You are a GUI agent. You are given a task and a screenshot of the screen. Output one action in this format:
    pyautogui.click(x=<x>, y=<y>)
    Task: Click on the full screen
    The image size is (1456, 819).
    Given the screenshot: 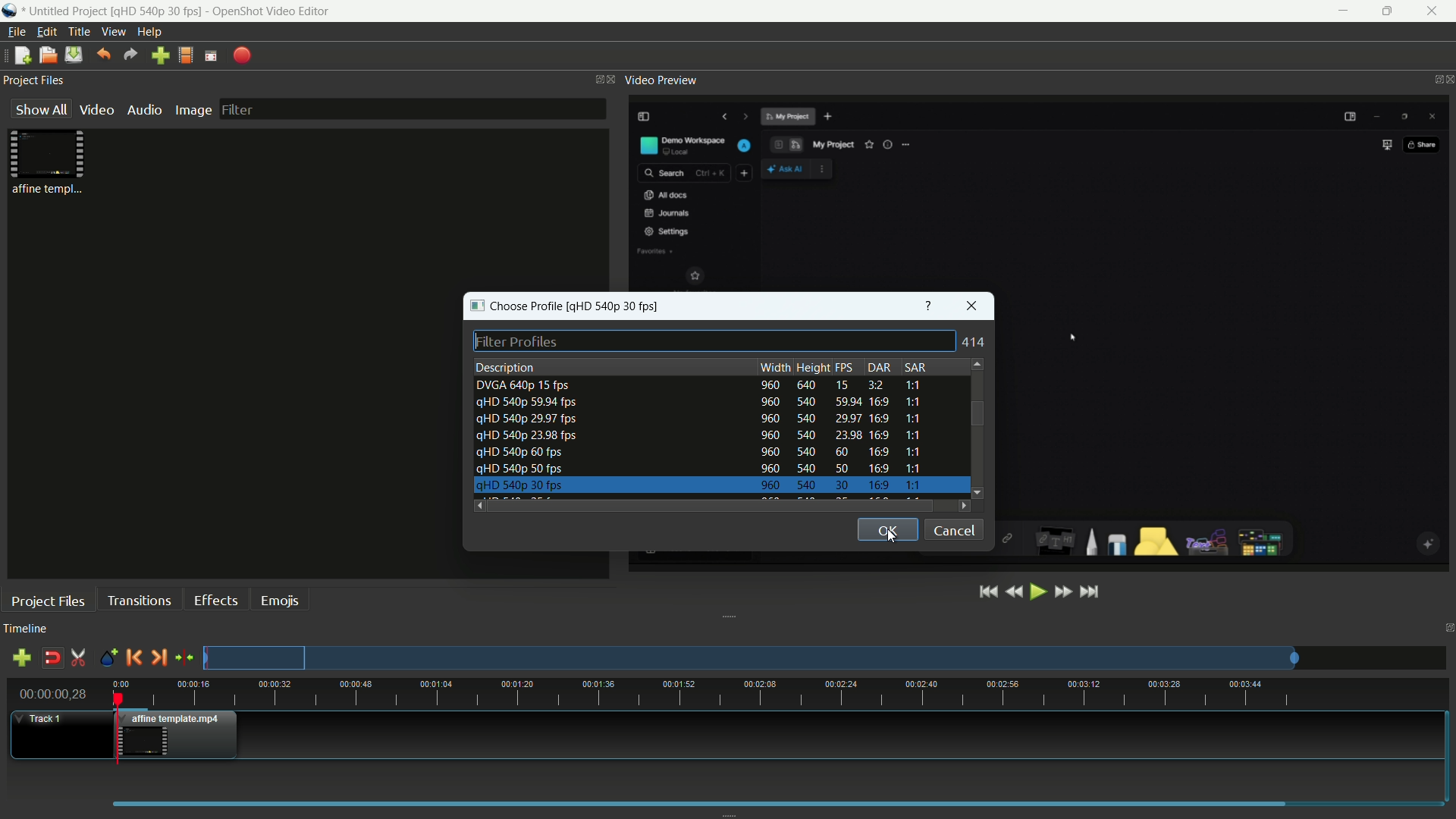 What is the action you would take?
    pyautogui.click(x=211, y=55)
    